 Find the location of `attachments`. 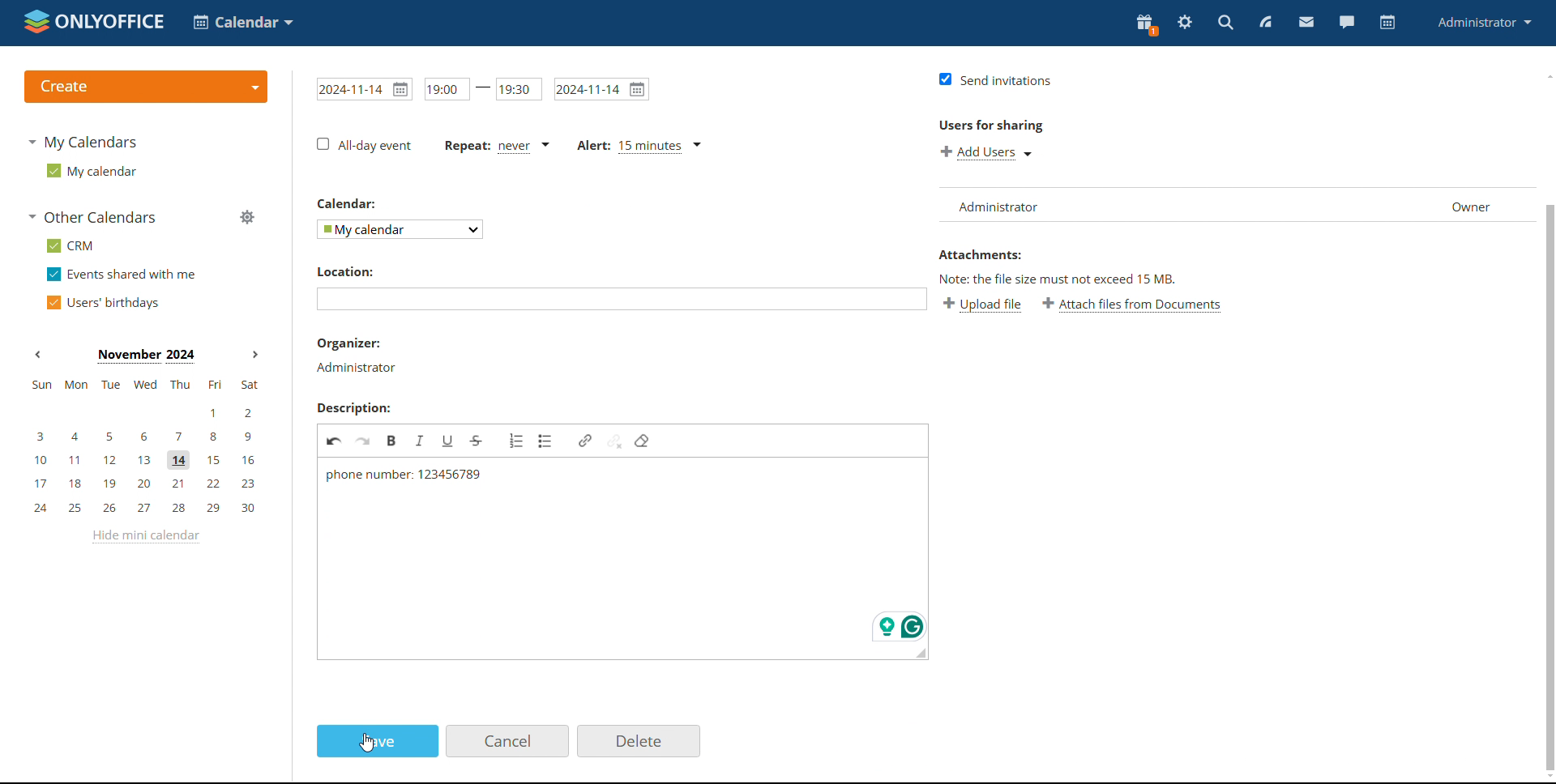

attachments is located at coordinates (983, 254).